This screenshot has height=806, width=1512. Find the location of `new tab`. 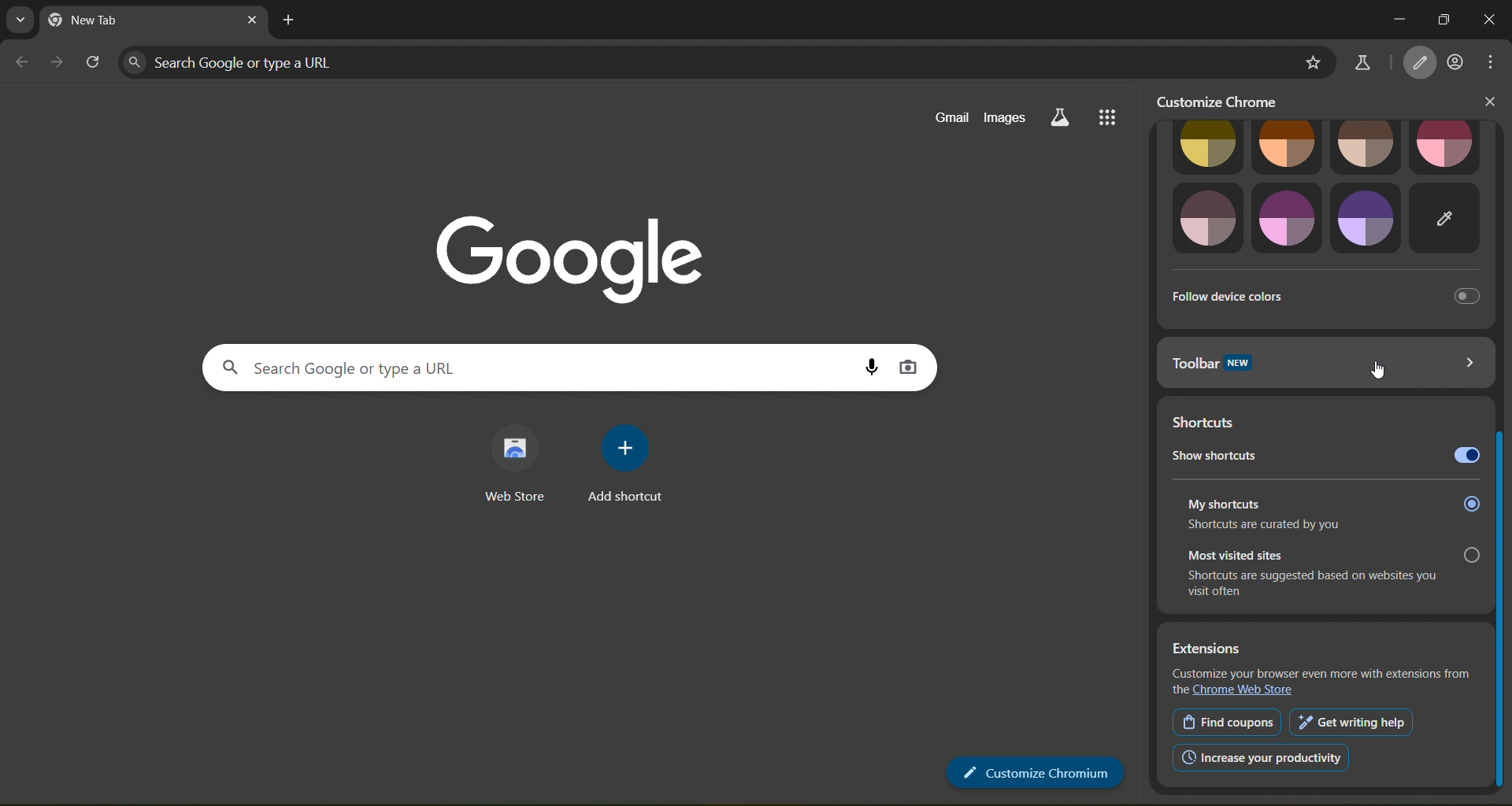

new tab is located at coordinates (291, 21).